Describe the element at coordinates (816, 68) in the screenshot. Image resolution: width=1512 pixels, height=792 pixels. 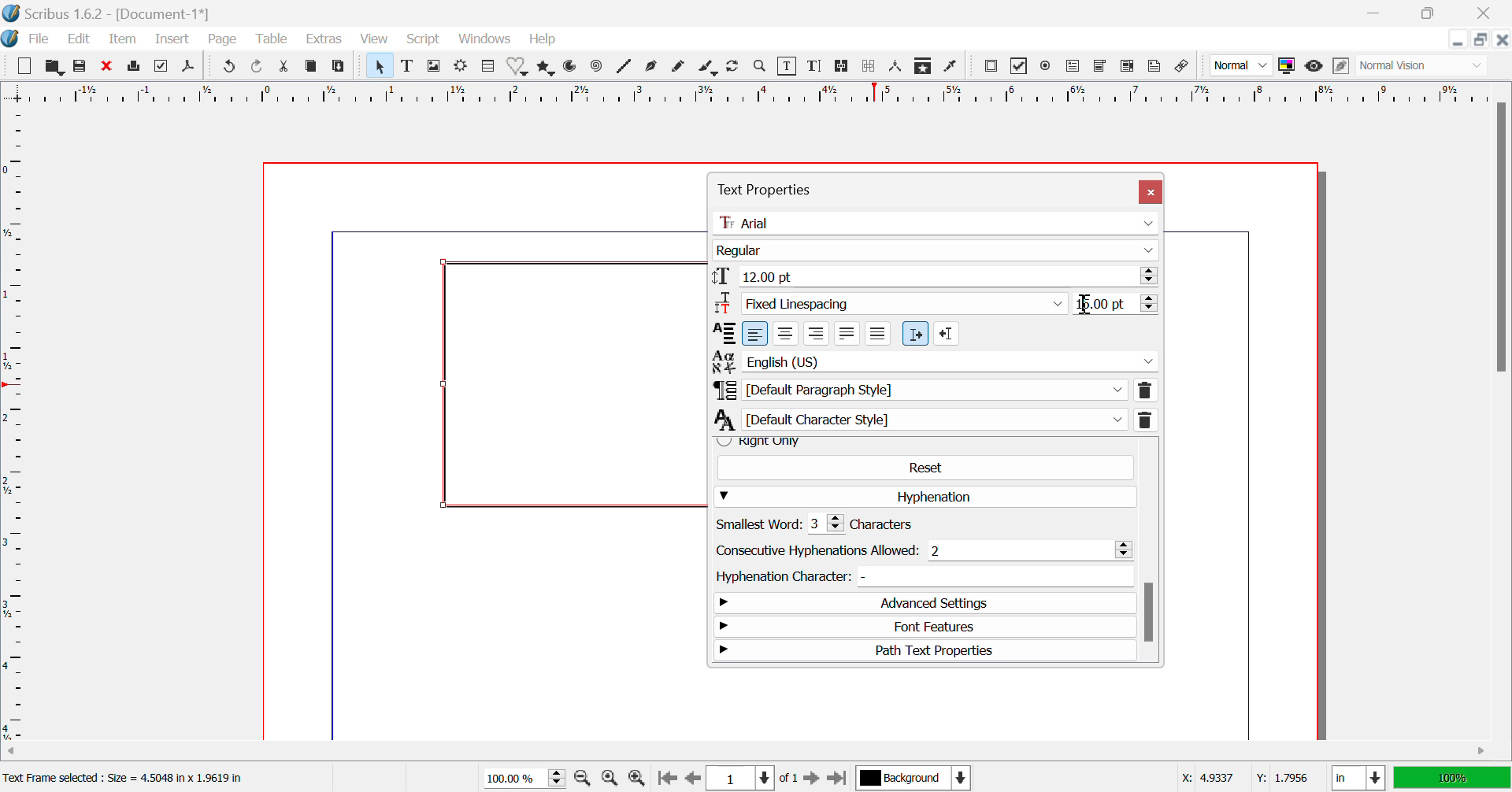
I see `Edit Text with Story Editor` at that location.